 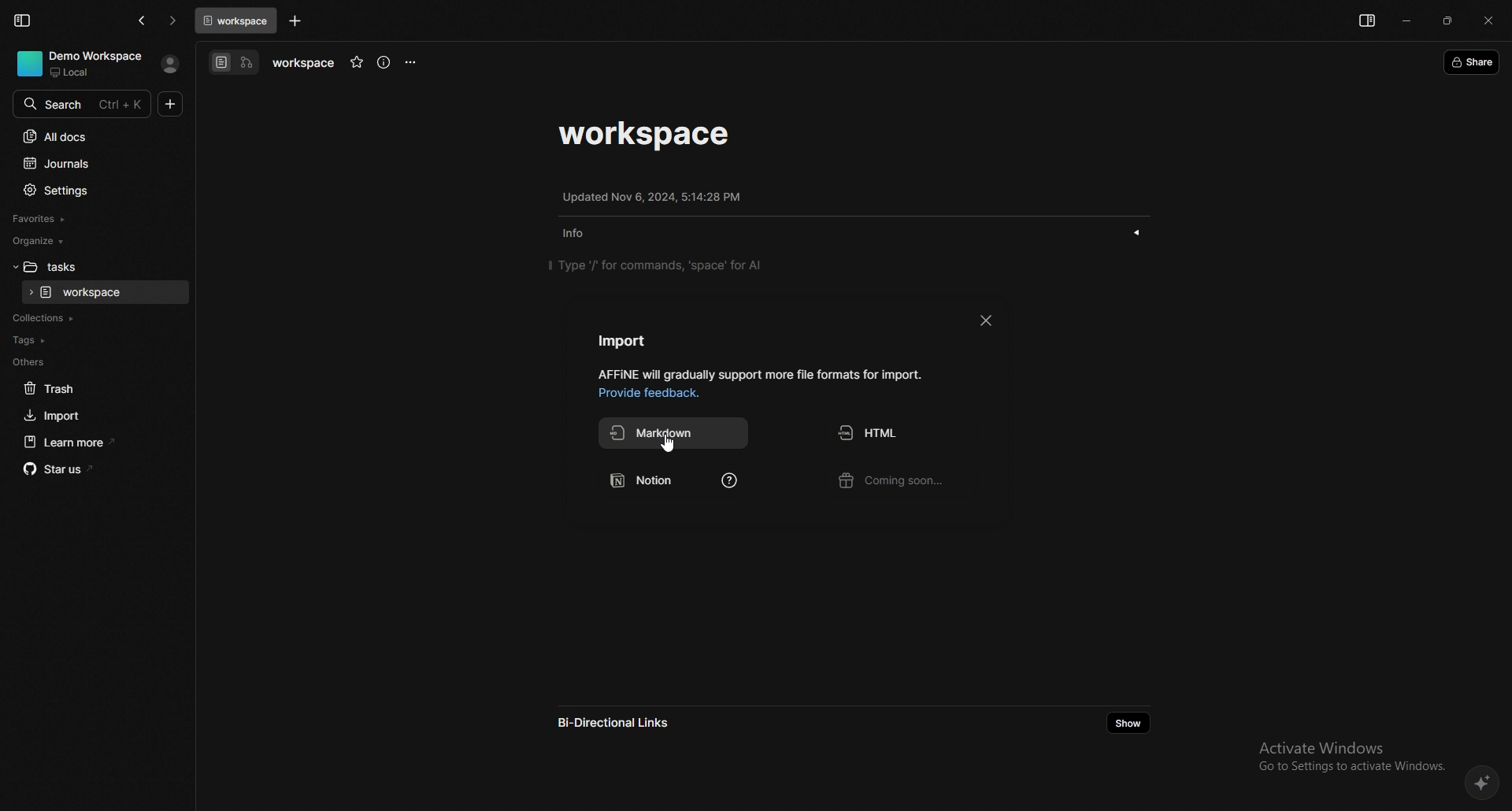 I want to click on options, so click(x=411, y=62).